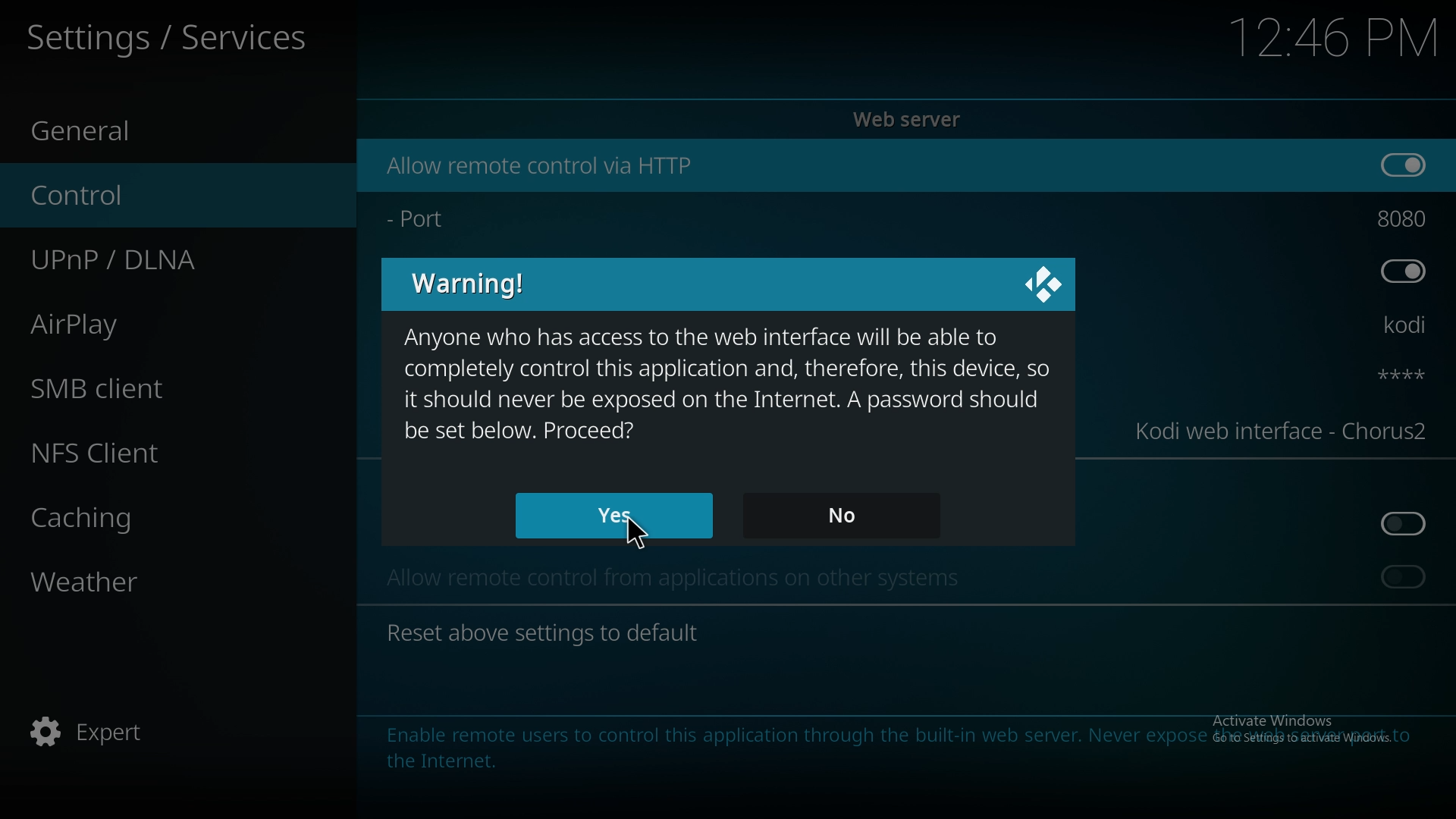  Describe the element at coordinates (1398, 375) in the screenshot. I see `password` at that location.